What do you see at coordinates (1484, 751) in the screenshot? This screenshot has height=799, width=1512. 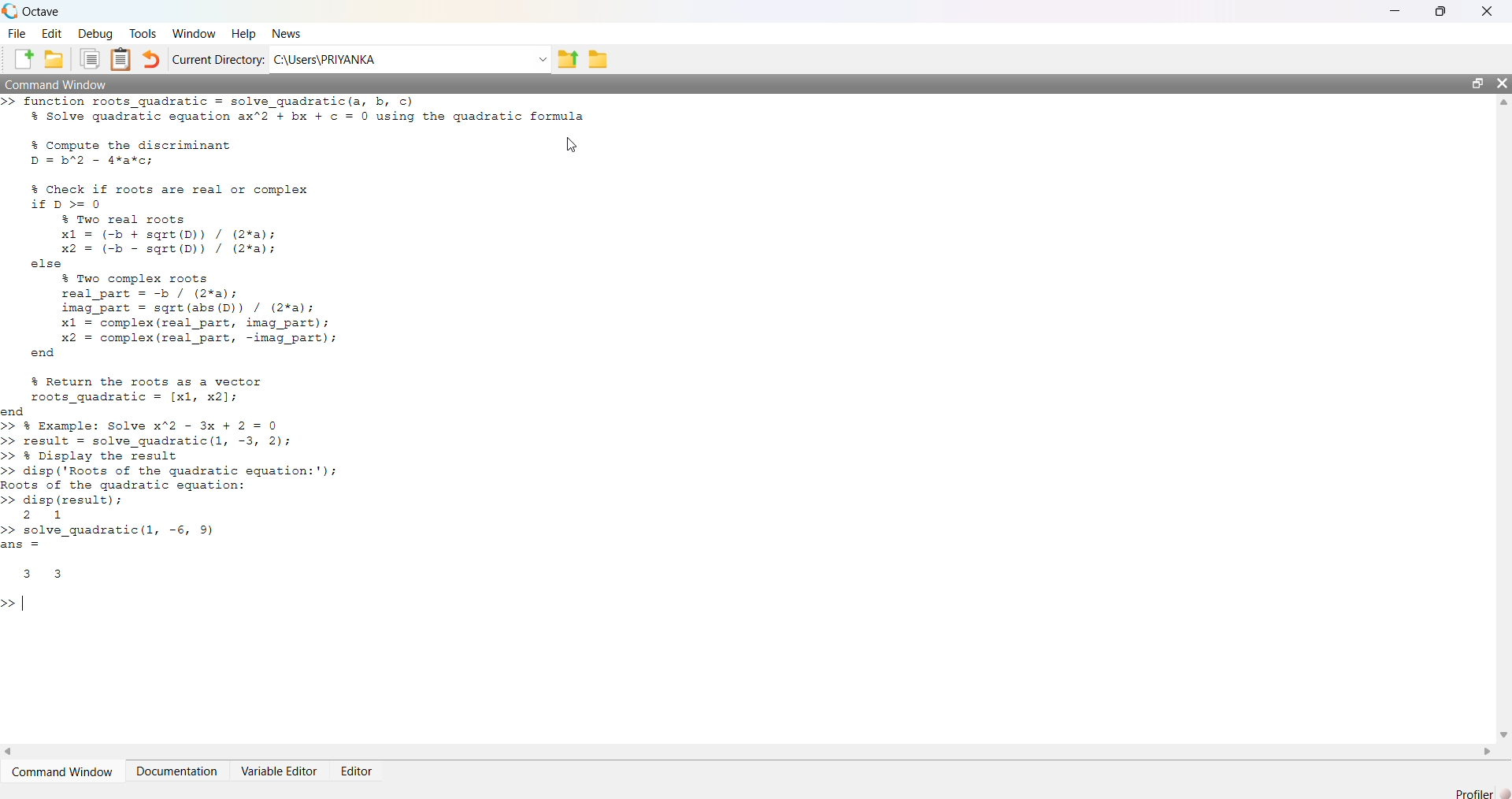 I see `Right` at bounding box center [1484, 751].